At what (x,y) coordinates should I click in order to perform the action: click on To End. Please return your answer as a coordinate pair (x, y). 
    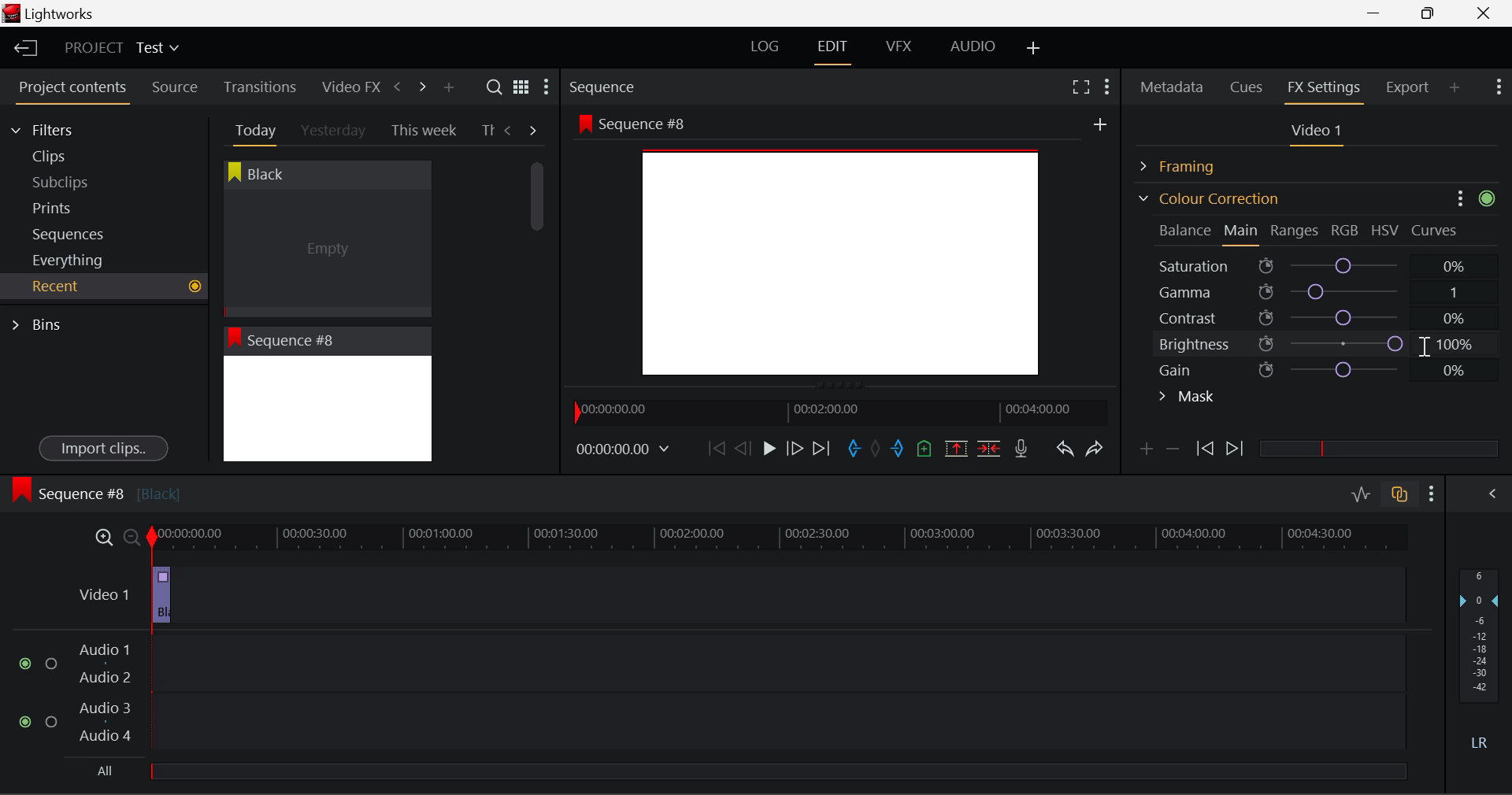
    Looking at the image, I should click on (821, 449).